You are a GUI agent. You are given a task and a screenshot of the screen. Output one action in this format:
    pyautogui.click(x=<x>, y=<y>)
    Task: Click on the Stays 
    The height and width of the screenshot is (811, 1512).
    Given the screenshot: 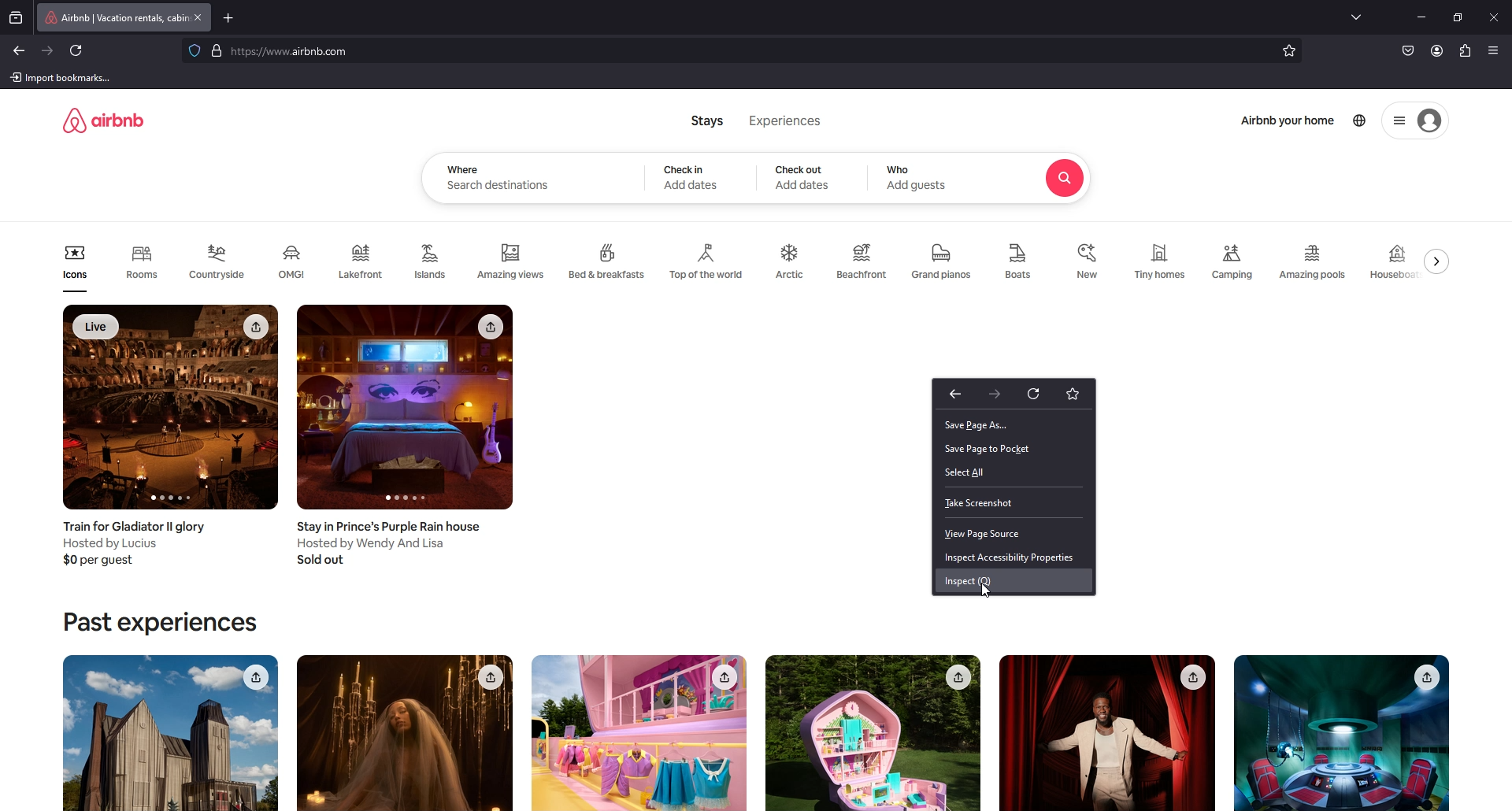 What is the action you would take?
    pyautogui.click(x=708, y=120)
    